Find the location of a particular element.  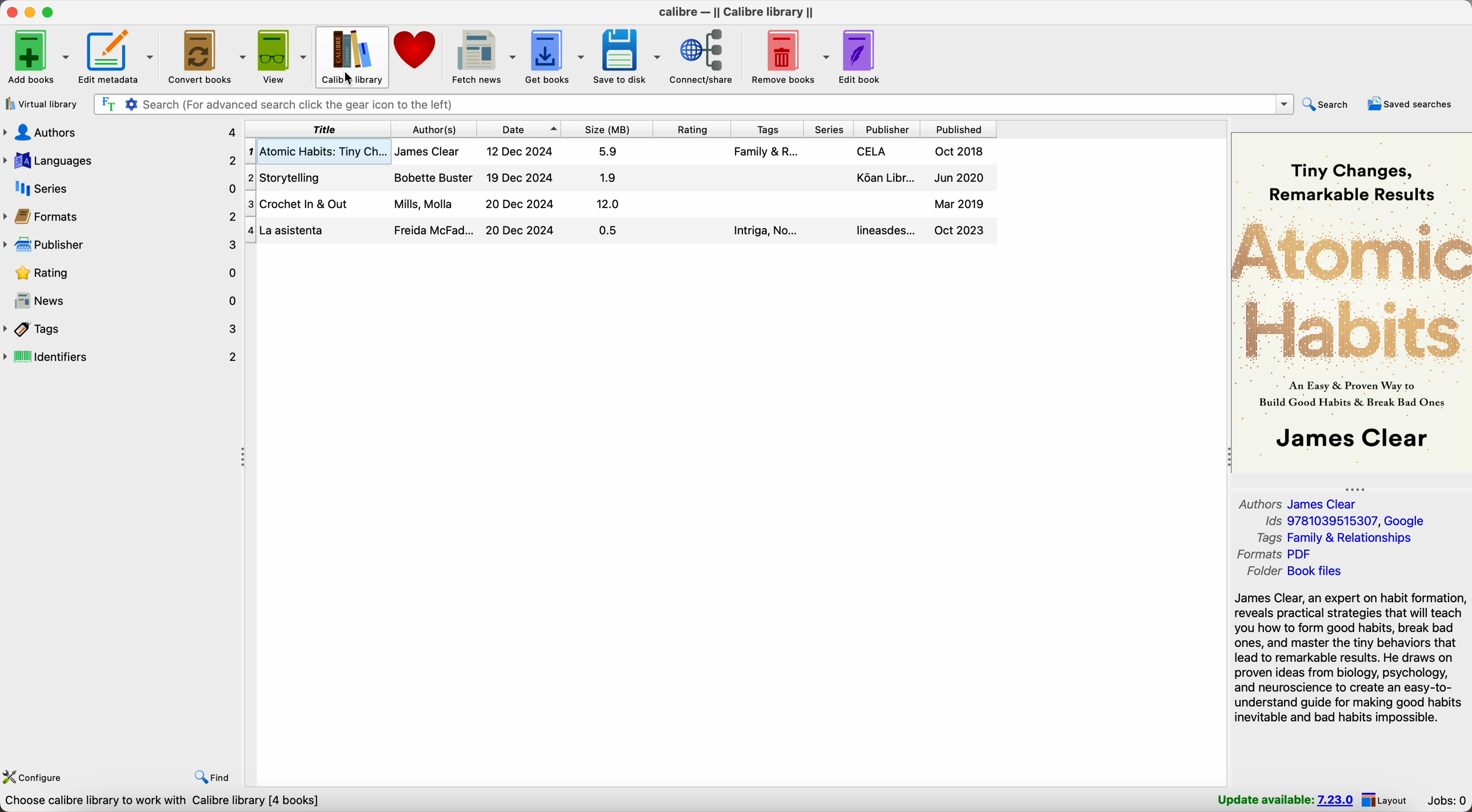

Ids 9781039515307, Google is located at coordinates (1346, 519).